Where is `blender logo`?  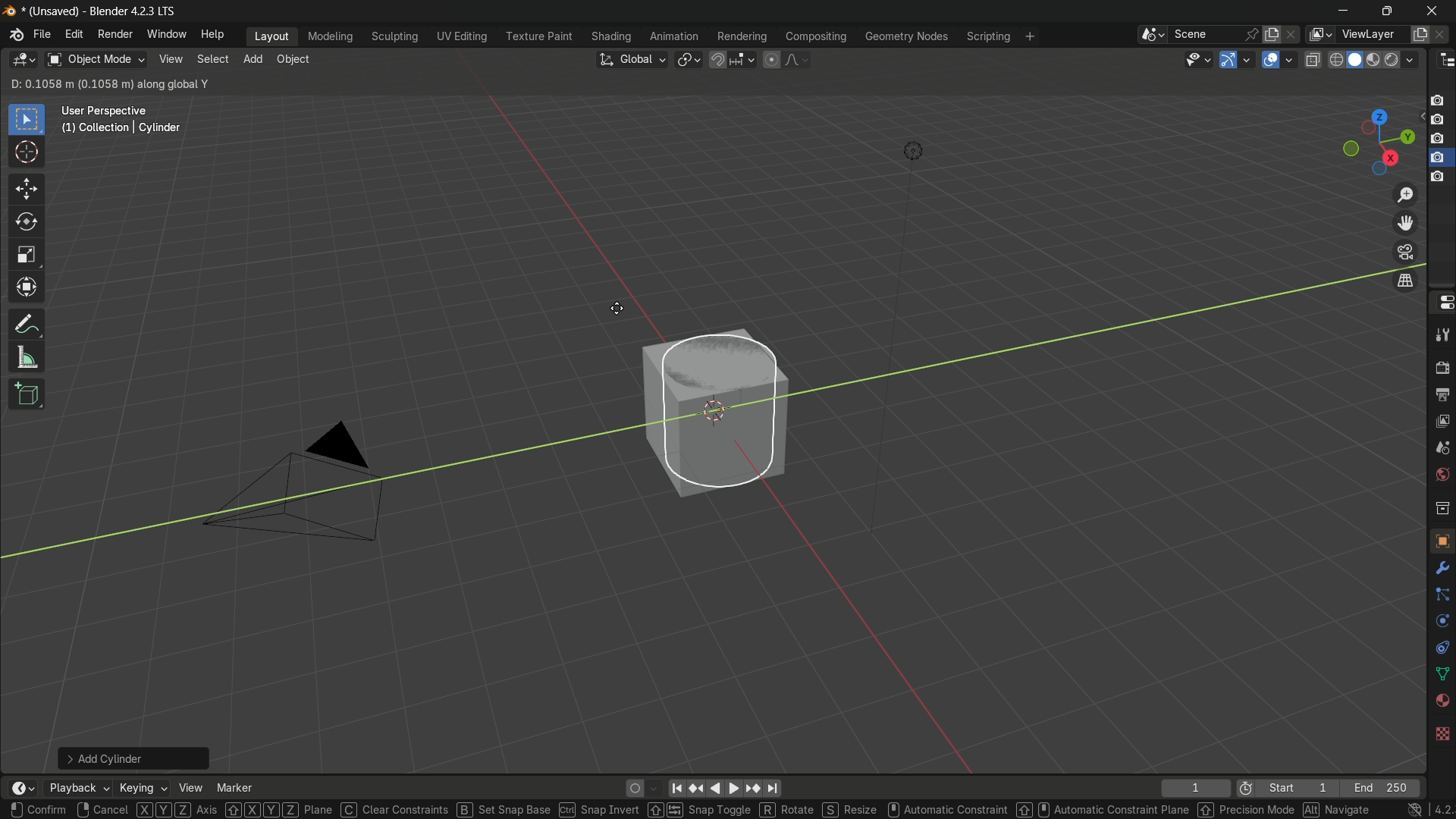 blender logo is located at coordinates (14, 36).